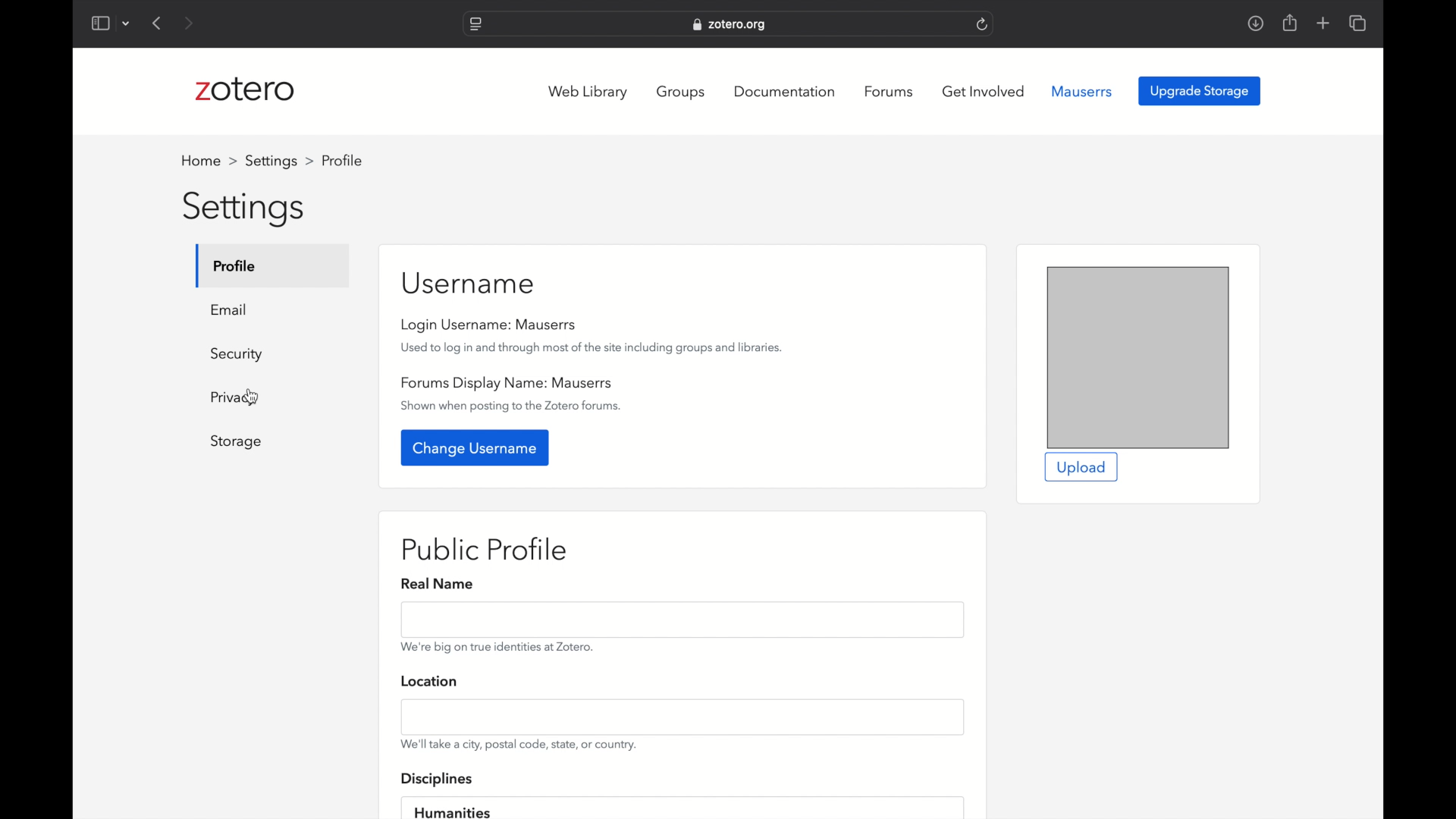 Image resolution: width=1456 pixels, height=819 pixels. What do you see at coordinates (475, 25) in the screenshot?
I see `website settings` at bounding box center [475, 25].